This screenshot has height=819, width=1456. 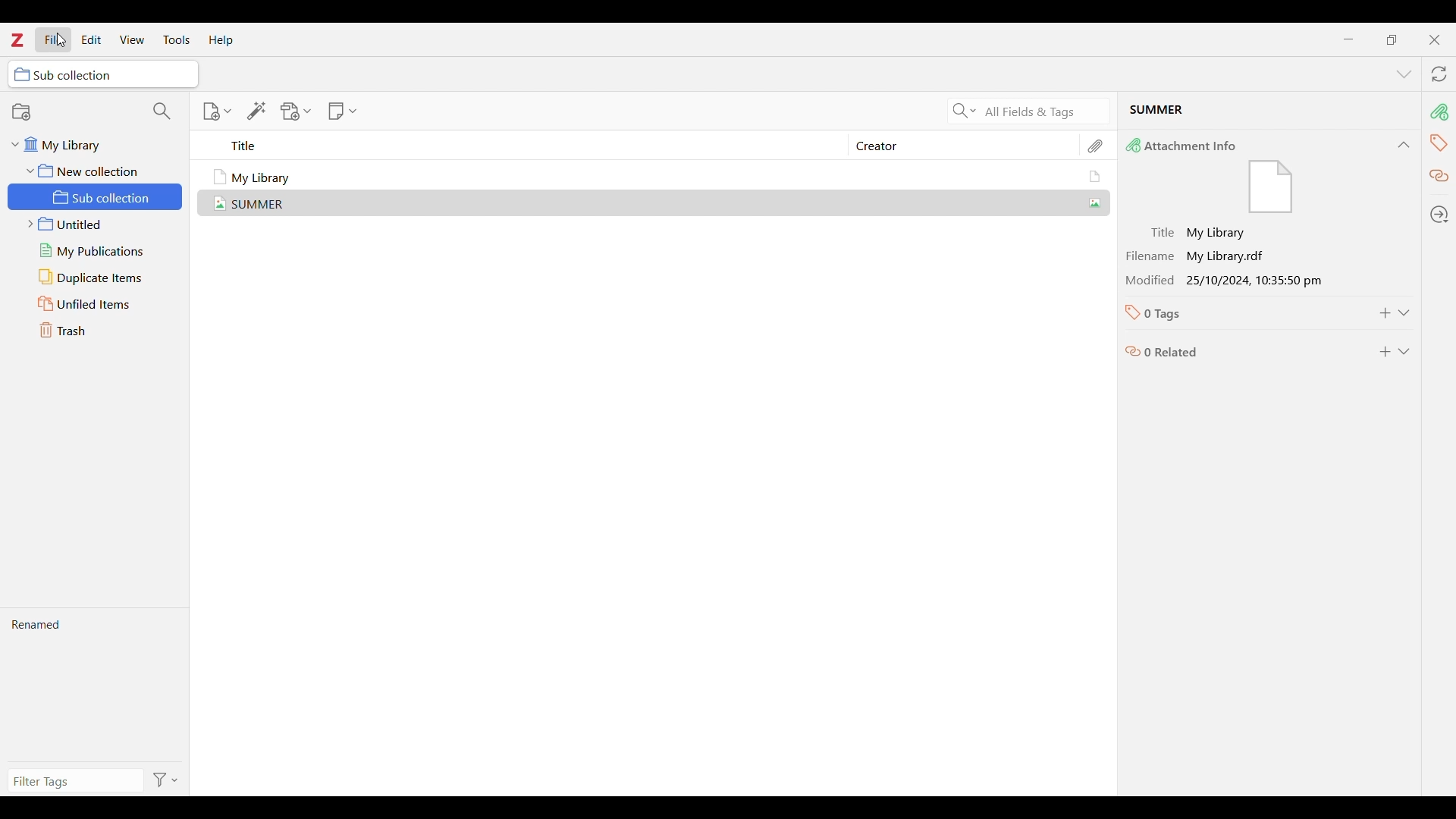 I want to click on Cursor, so click(x=62, y=40).